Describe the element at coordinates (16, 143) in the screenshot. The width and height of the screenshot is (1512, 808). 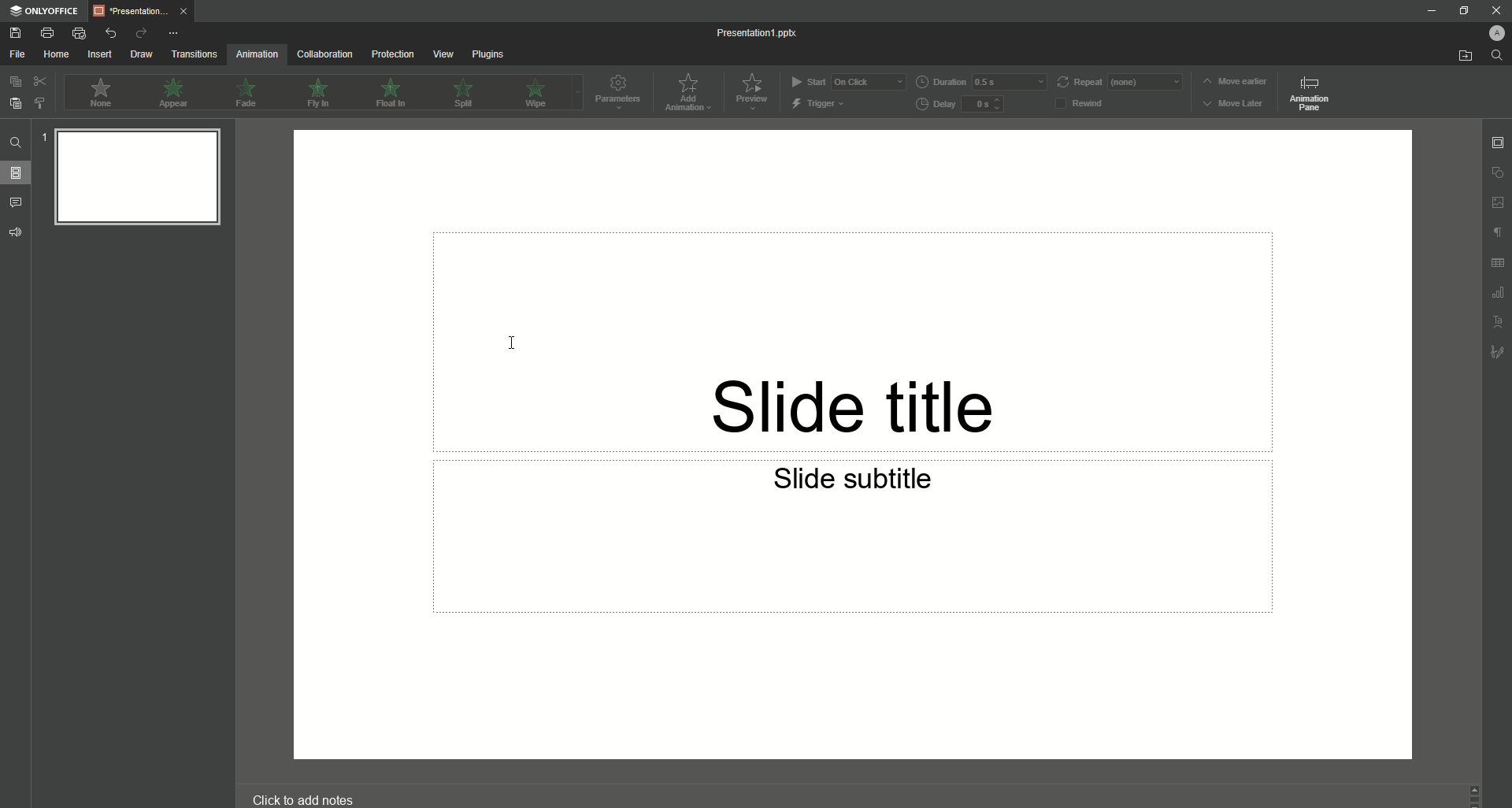
I see `Find` at that location.